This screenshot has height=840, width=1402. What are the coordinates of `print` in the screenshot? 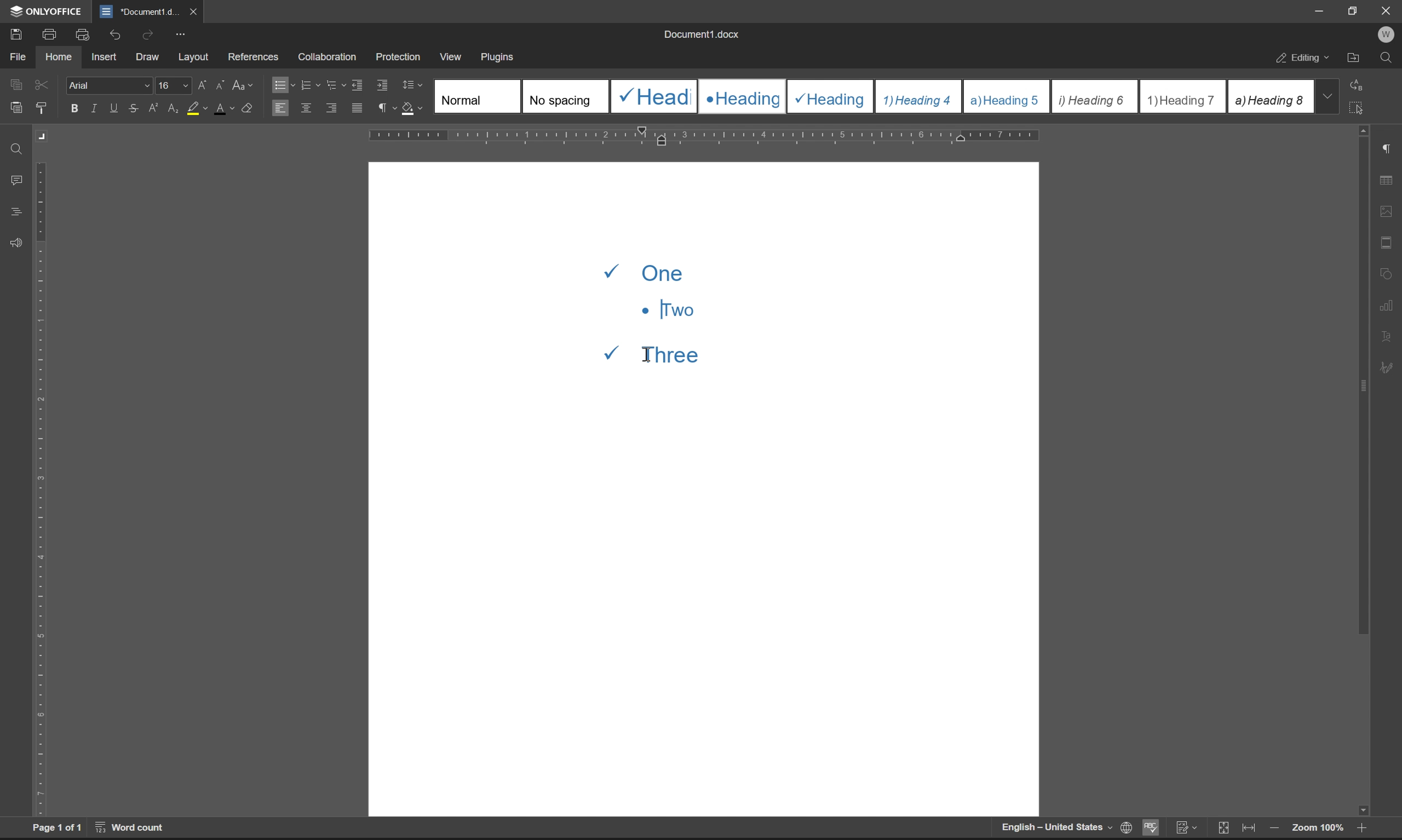 It's located at (53, 33).